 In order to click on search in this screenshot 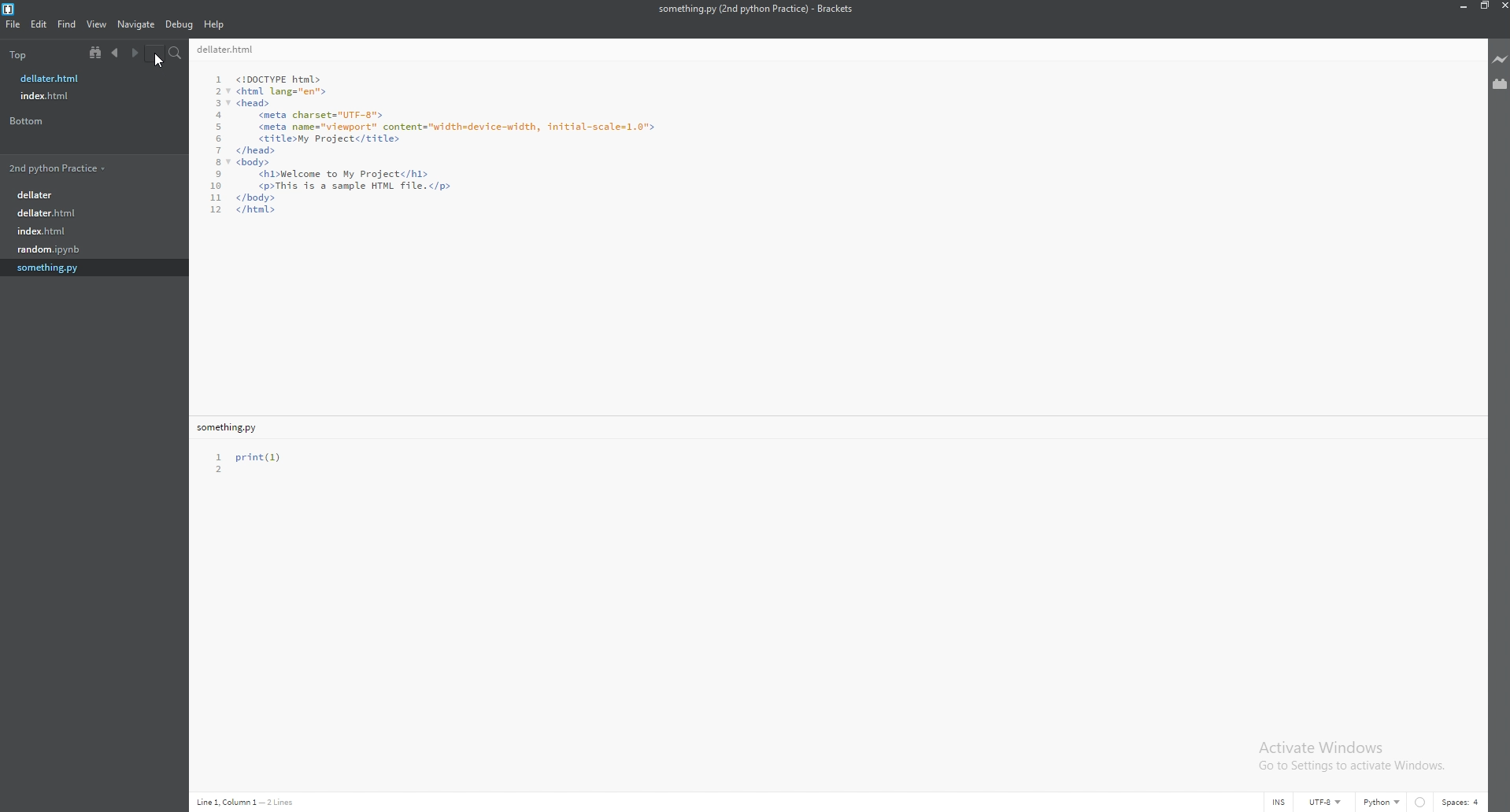, I will do `click(175, 52)`.